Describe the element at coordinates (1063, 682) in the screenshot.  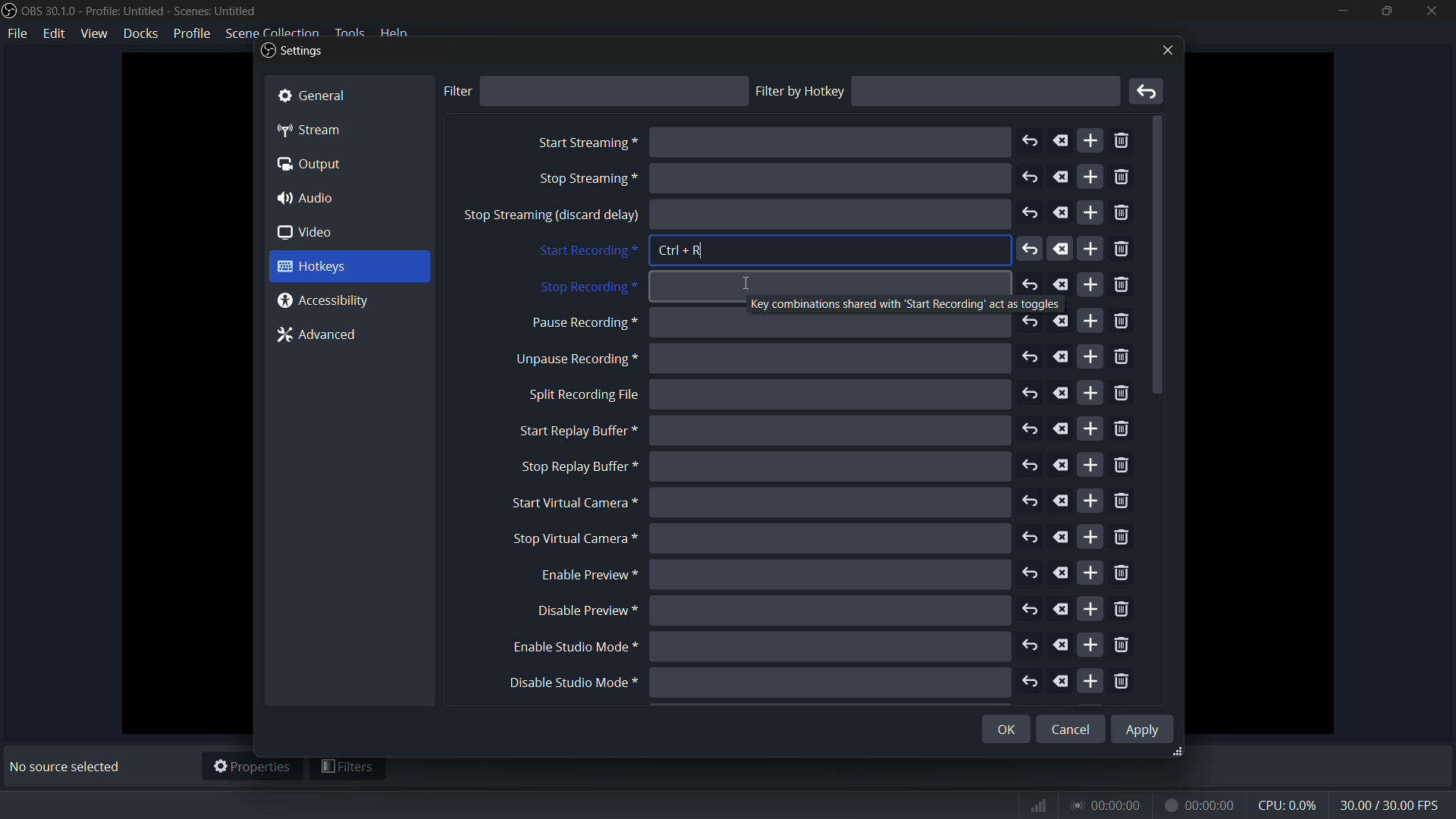
I see `delete` at that location.